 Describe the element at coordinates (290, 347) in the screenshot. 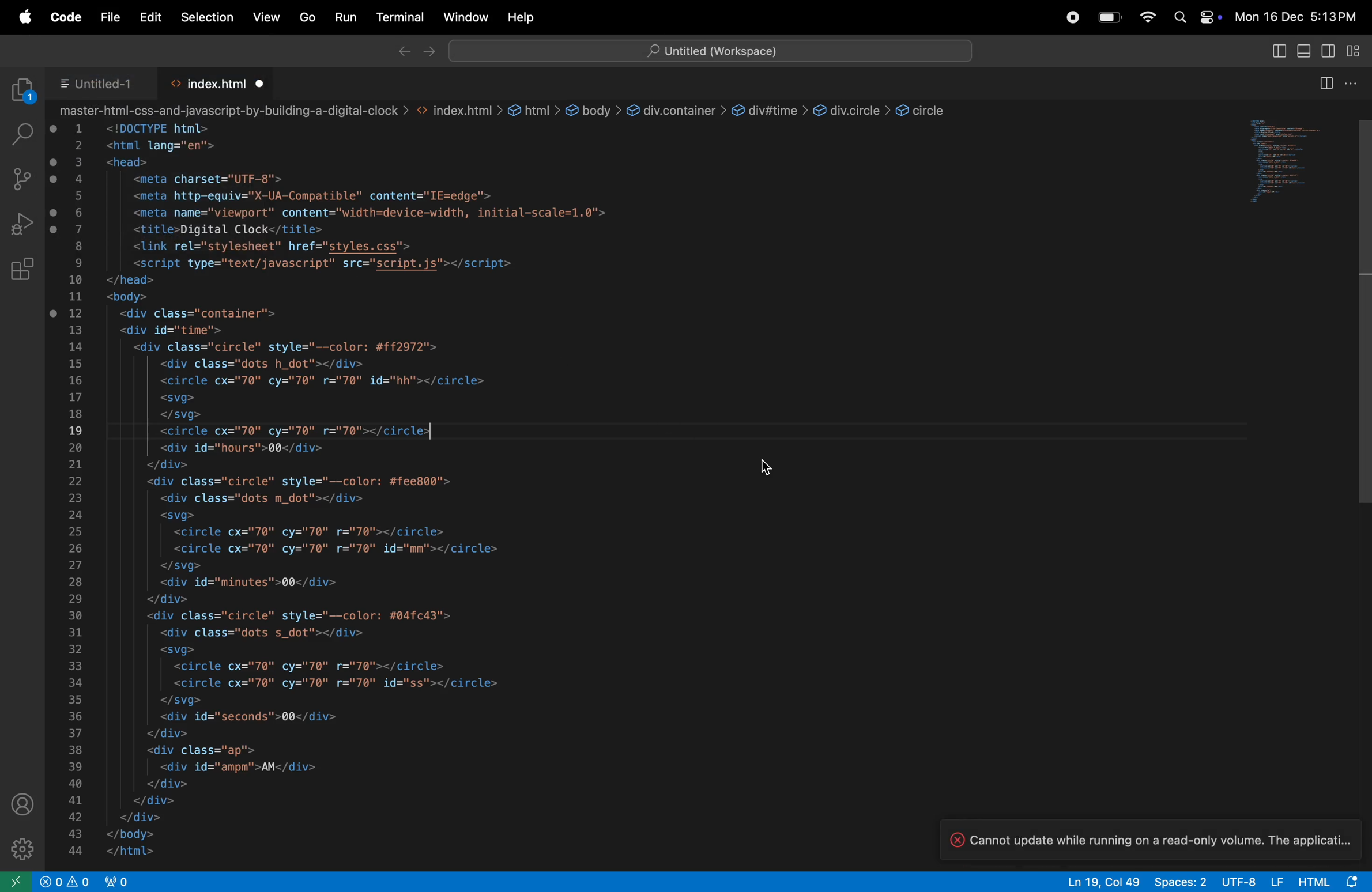

I see `<div class="circle" style="--color: #ff2972">` at that location.